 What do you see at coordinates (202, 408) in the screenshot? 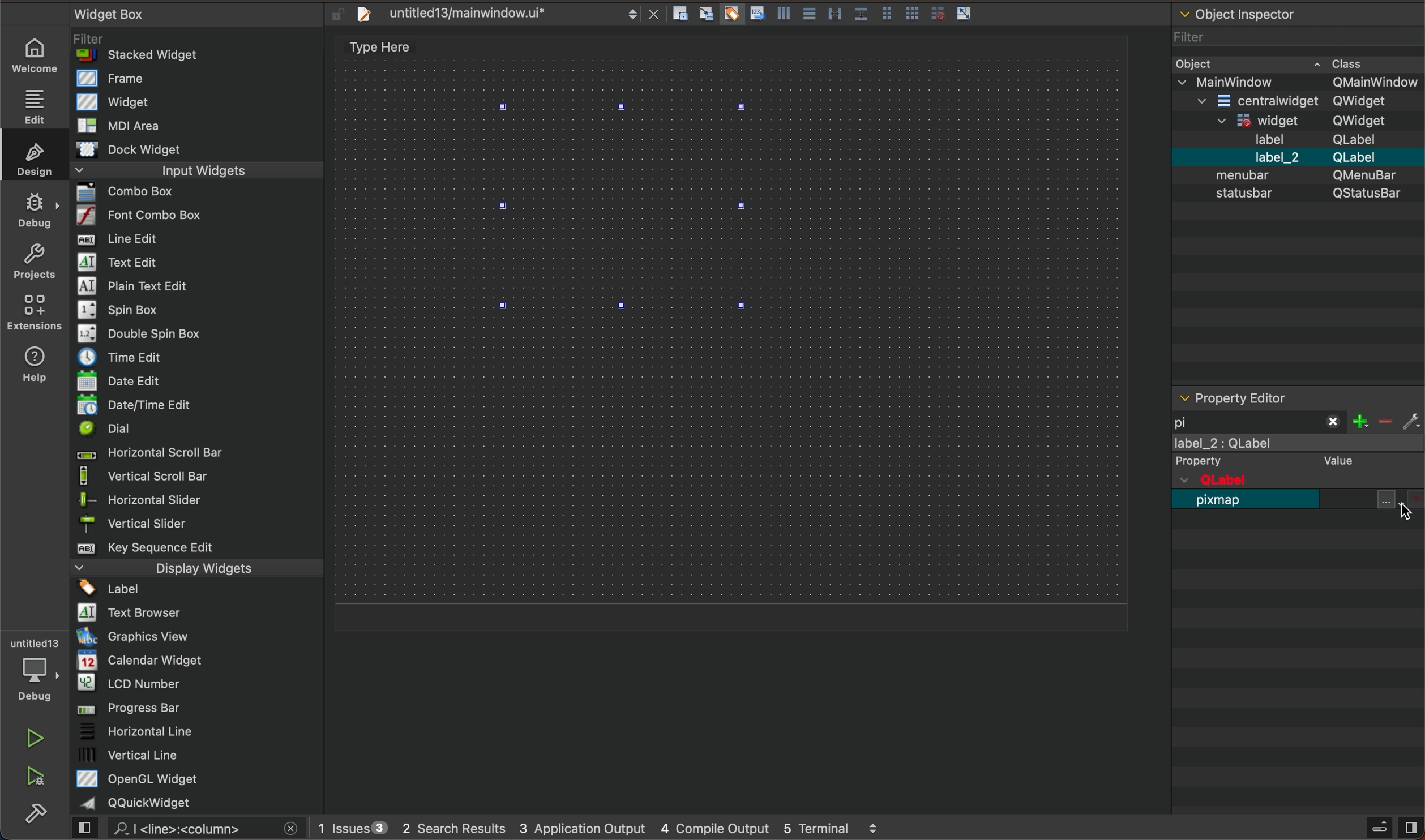
I see `widget box` at bounding box center [202, 408].